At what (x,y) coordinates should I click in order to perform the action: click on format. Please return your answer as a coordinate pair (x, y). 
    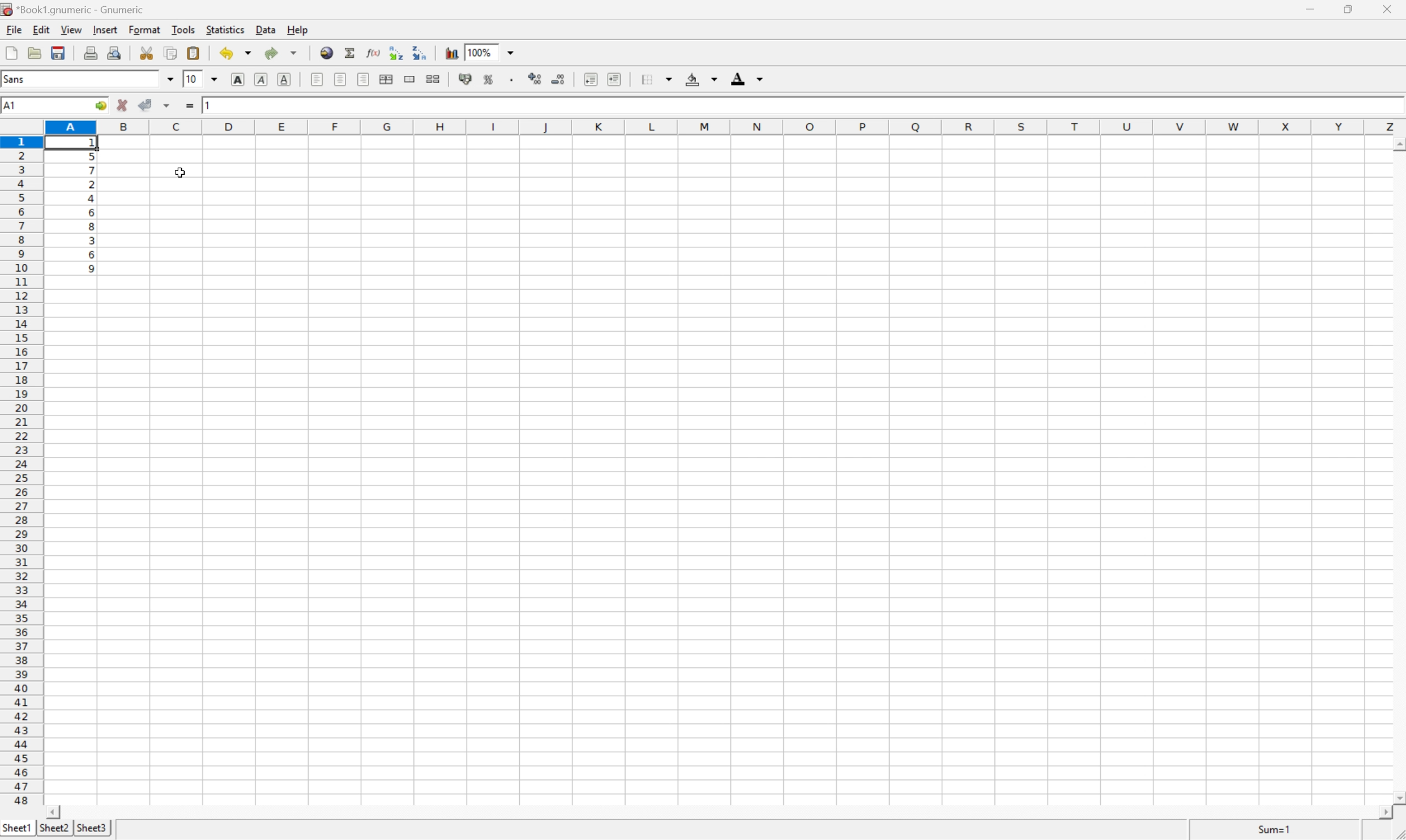
    Looking at the image, I should click on (144, 28).